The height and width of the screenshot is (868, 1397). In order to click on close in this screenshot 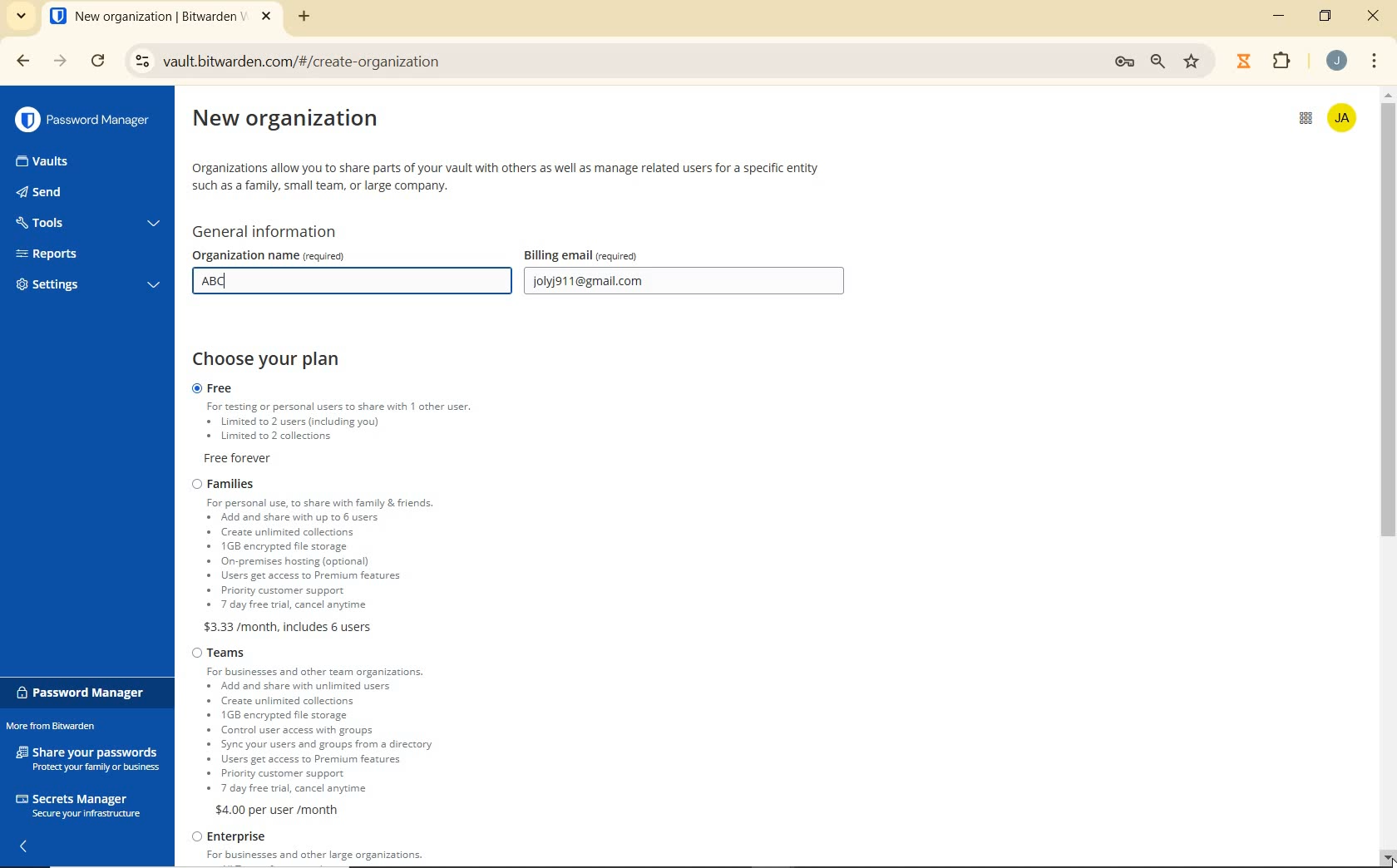, I will do `click(1374, 17)`.